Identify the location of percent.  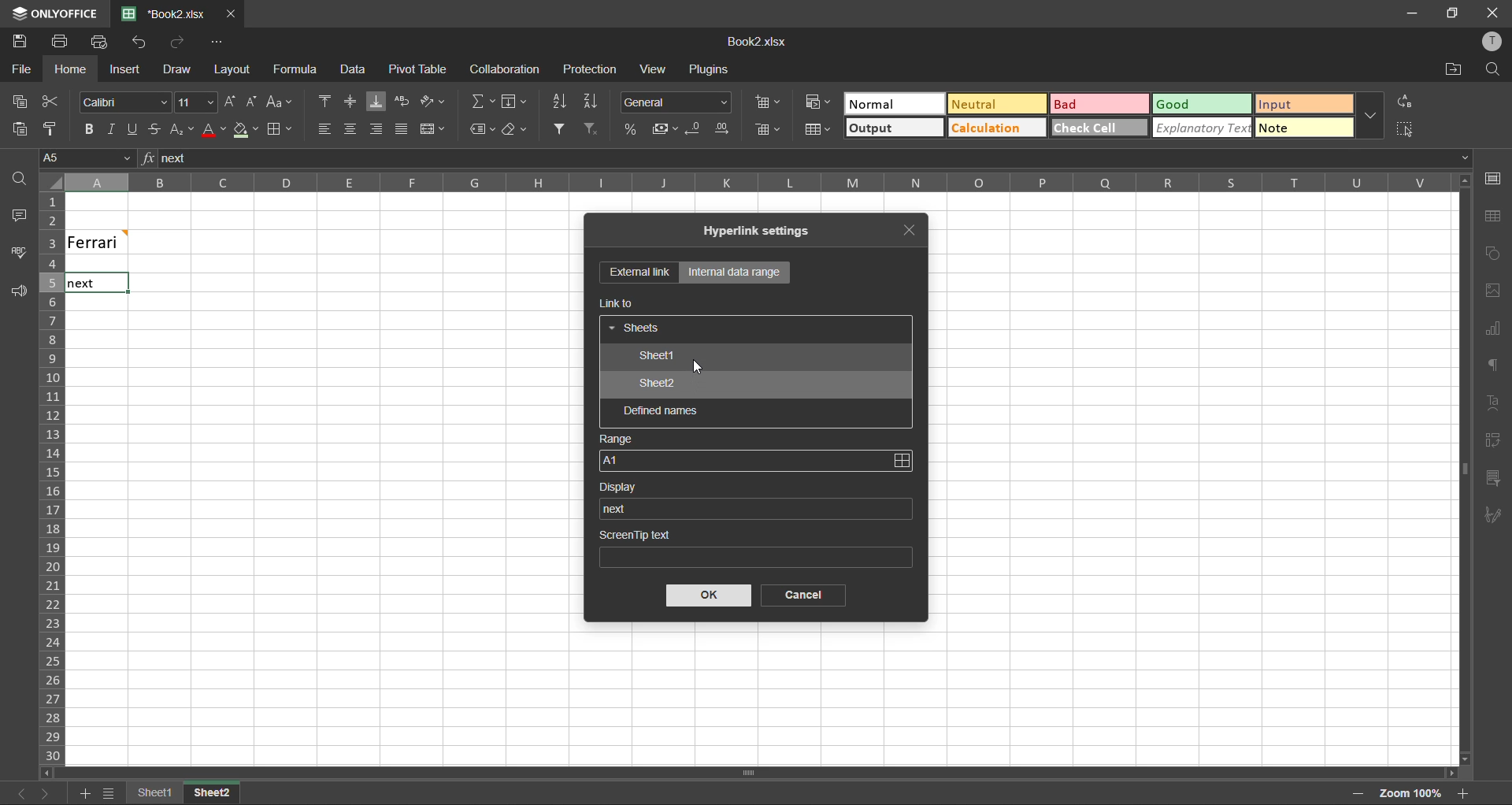
(630, 131).